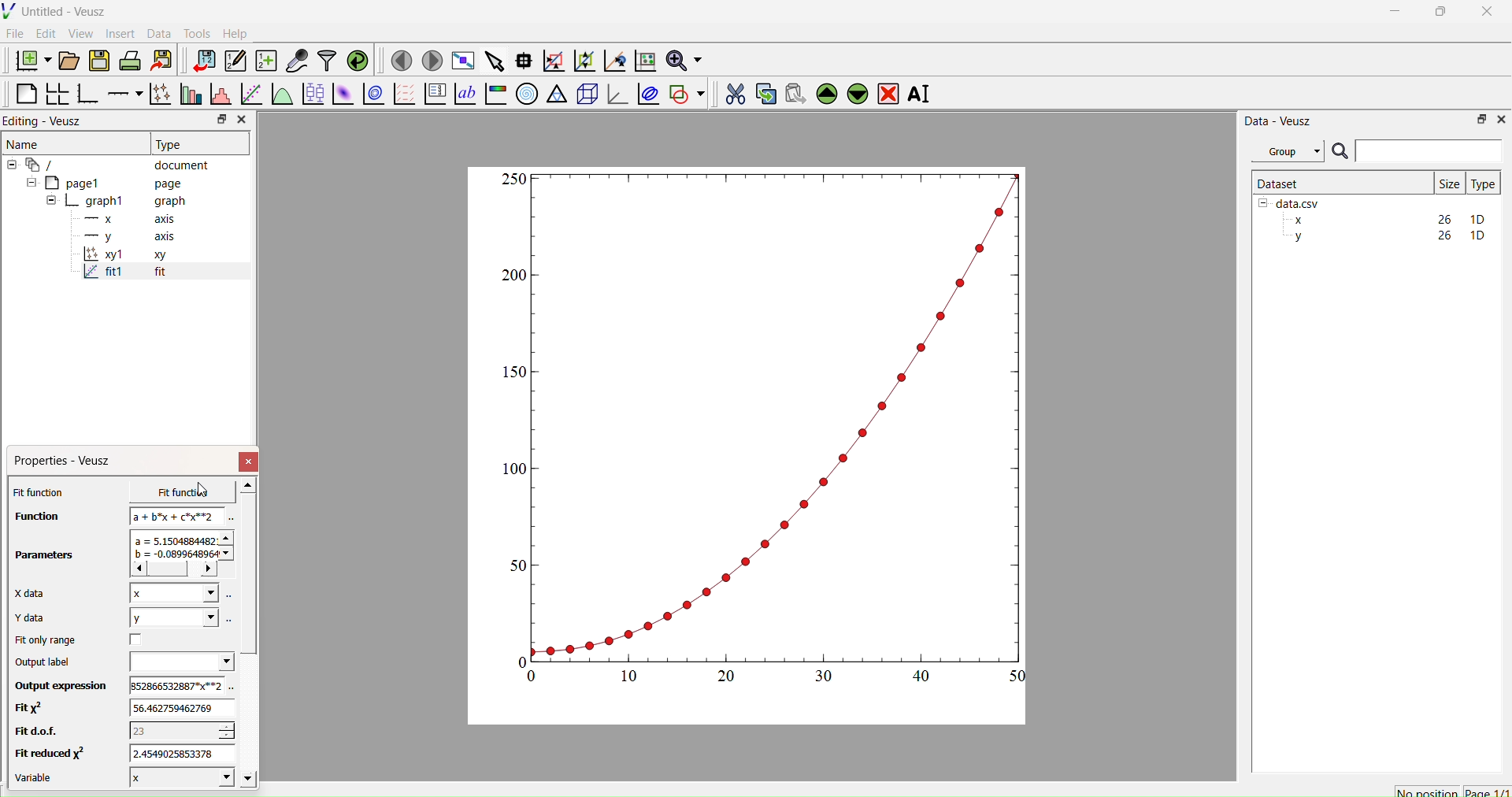 The image size is (1512, 797). Describe the element at coordinates (522, 58) in the screenshot. I see `Read data points` at that location.